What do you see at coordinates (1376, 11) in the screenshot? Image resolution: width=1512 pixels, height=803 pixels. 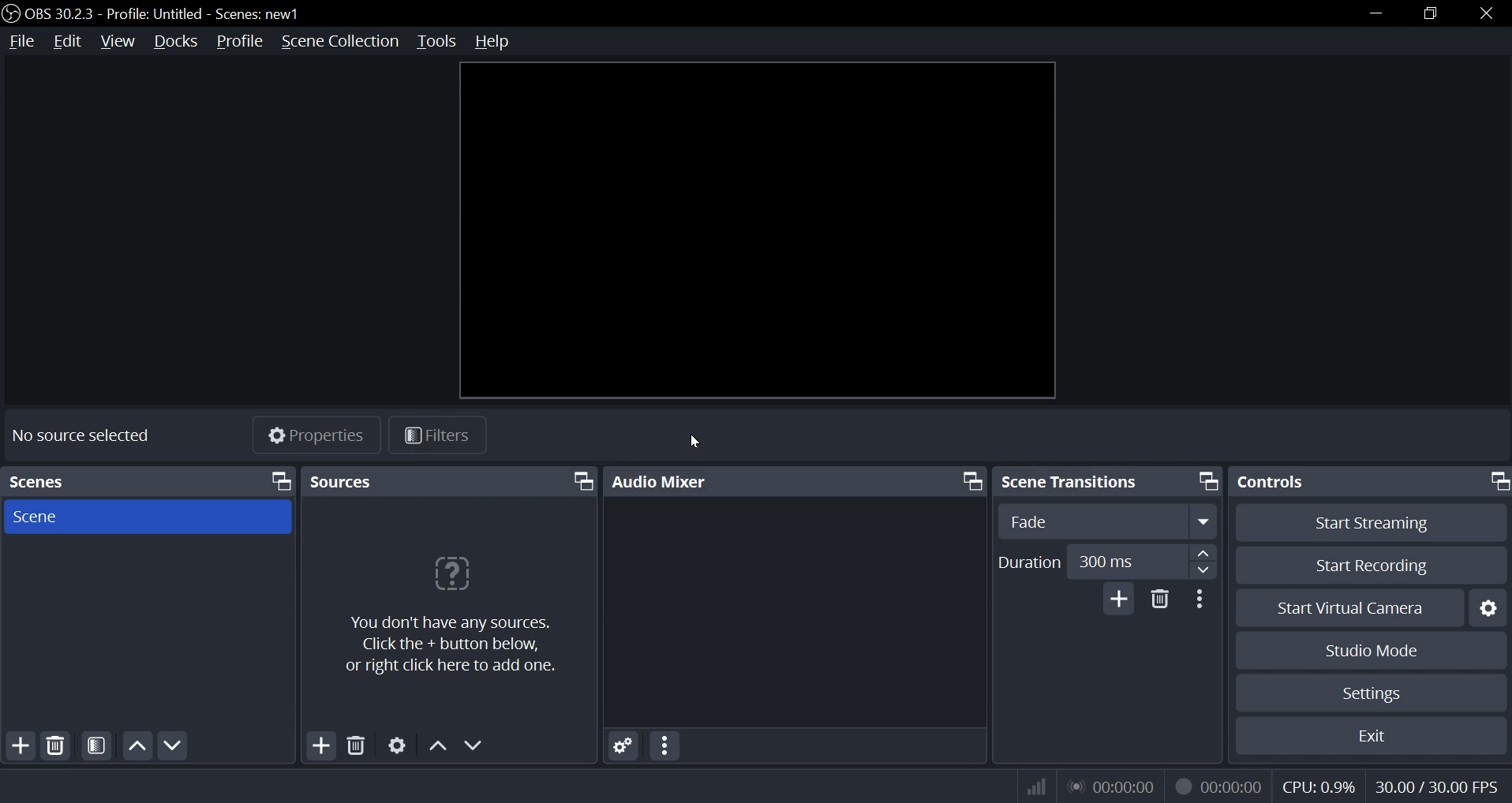 I see `minimize` at bounding box center [1376, 11].